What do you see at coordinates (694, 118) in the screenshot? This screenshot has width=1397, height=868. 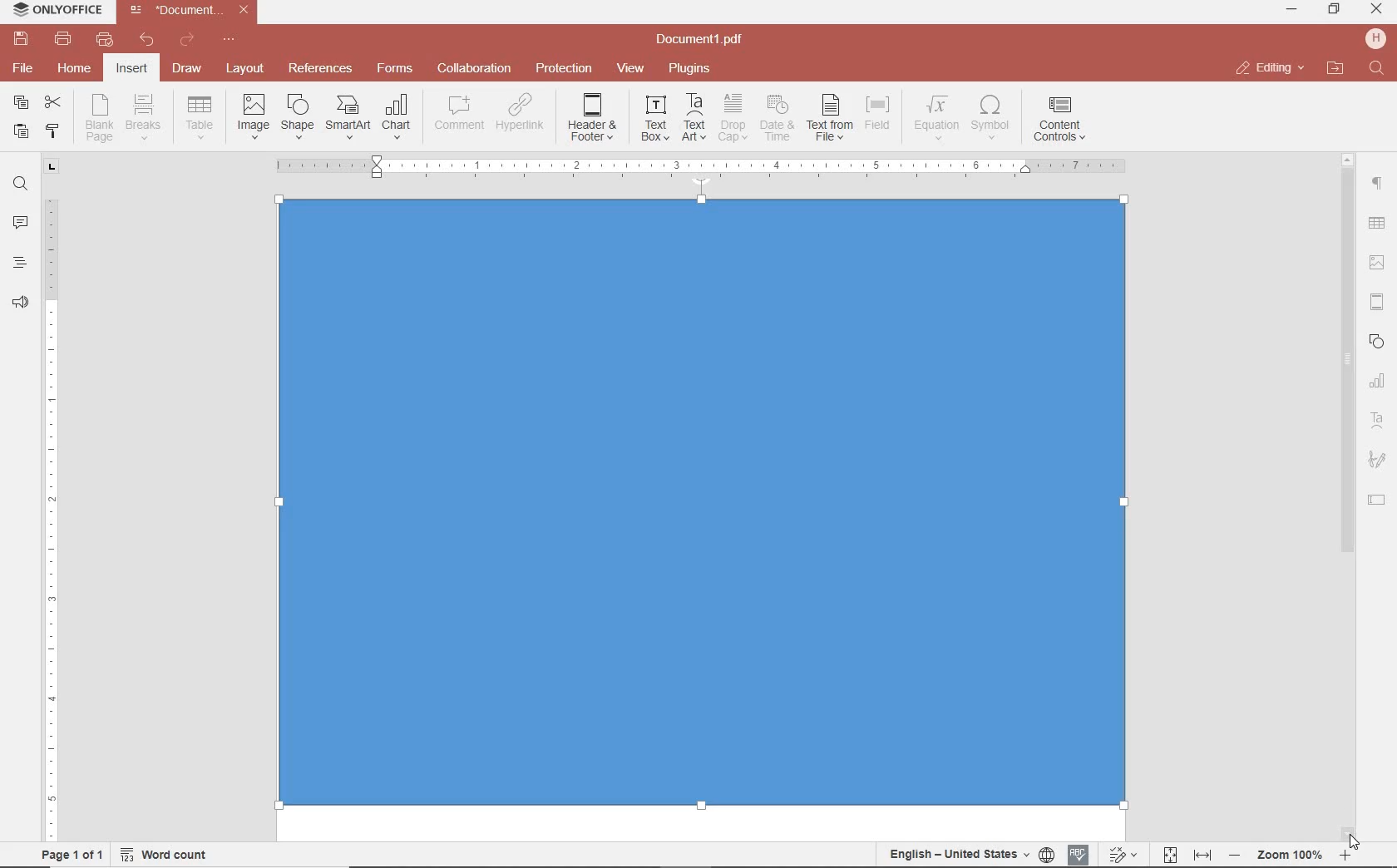 I see `INSERT TEXT ART` at bounding box center [694, 118].